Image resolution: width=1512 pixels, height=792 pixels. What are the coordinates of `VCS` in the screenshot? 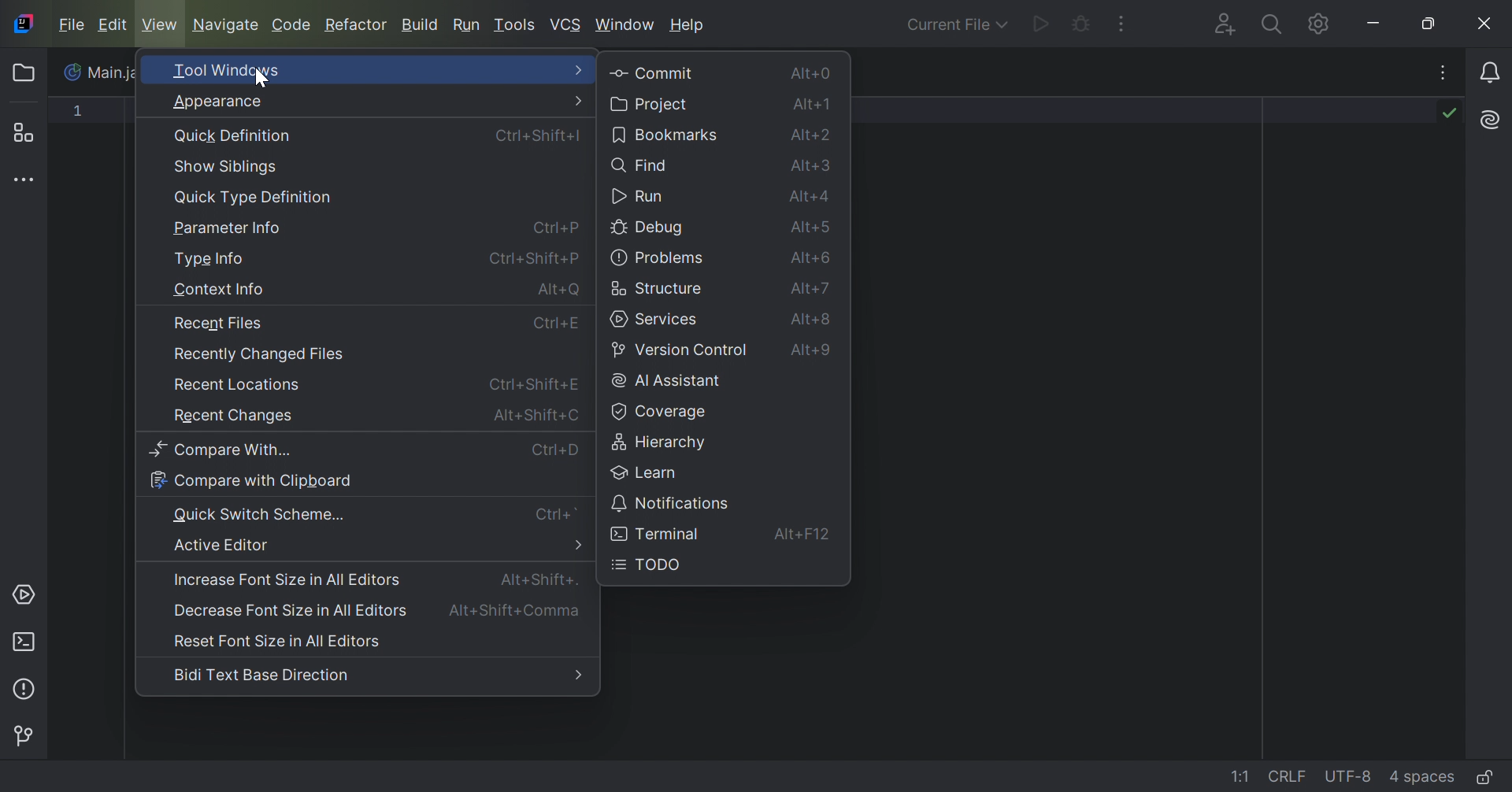 It's located at (566, 24).